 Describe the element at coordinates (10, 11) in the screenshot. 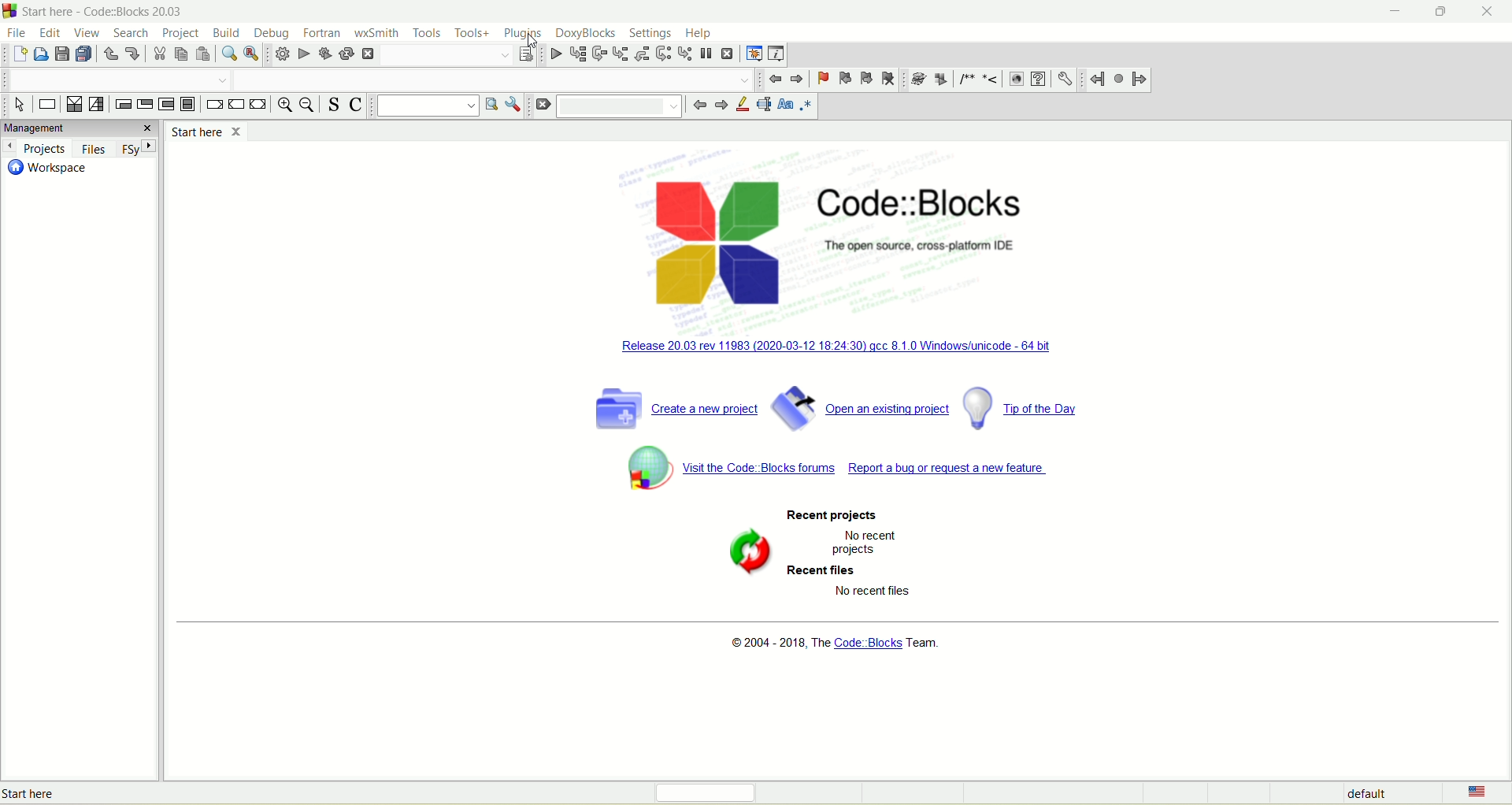

I see `logo` at that location.